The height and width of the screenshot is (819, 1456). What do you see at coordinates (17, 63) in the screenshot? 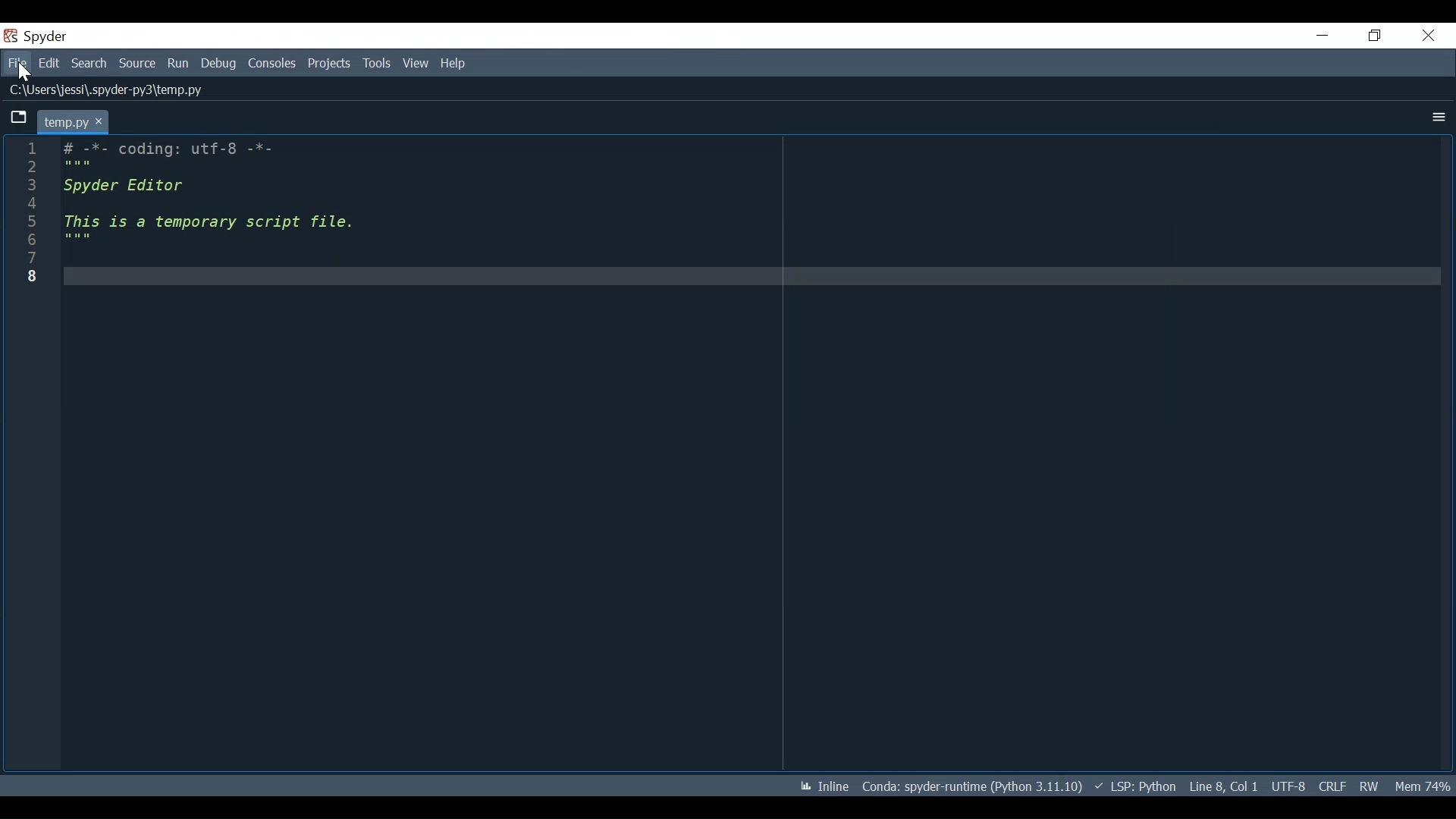
I see `File` at bounding box center [17, 63].